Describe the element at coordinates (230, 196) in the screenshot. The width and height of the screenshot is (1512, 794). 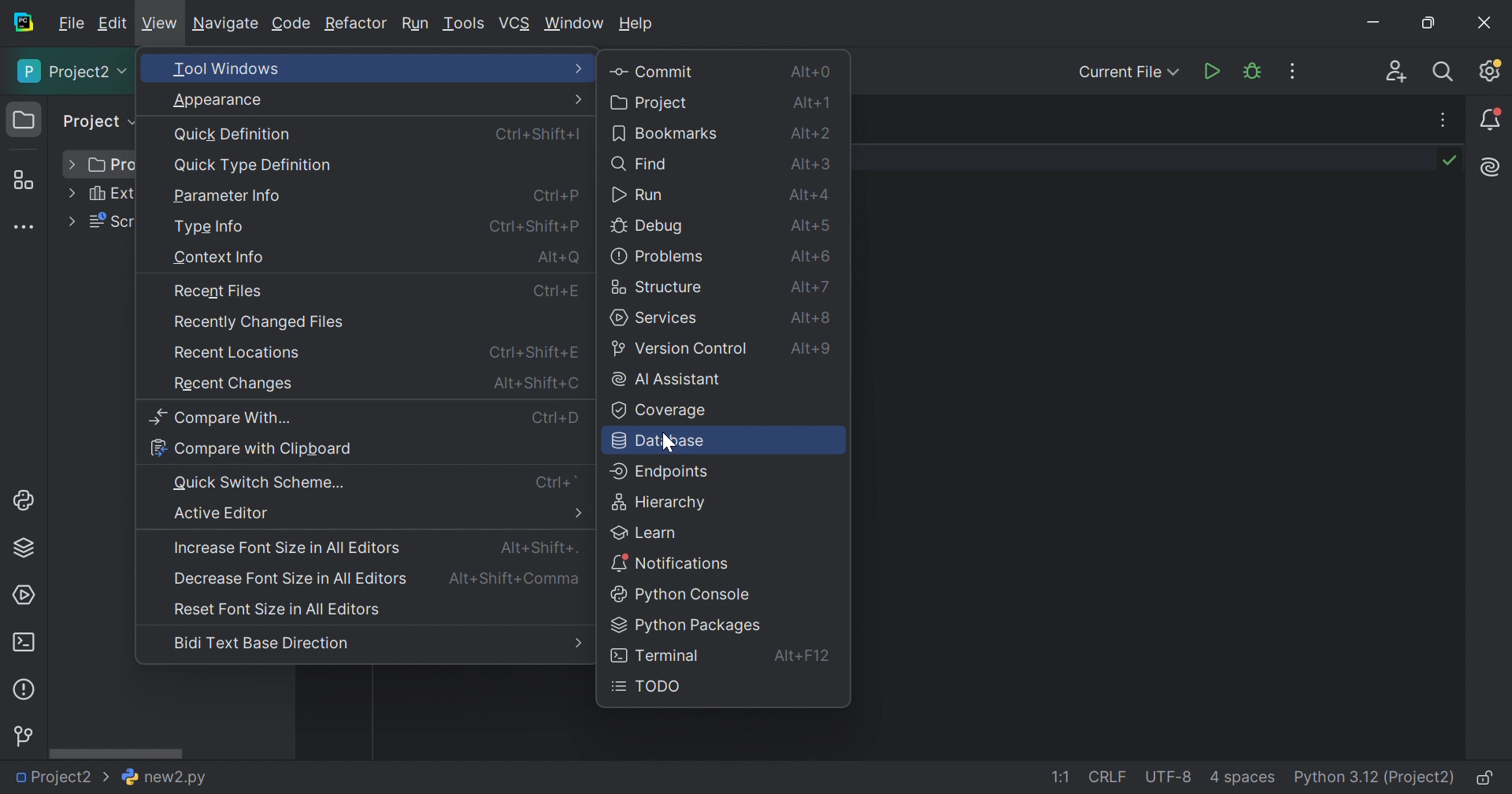
I see `Parameter info` at that location.